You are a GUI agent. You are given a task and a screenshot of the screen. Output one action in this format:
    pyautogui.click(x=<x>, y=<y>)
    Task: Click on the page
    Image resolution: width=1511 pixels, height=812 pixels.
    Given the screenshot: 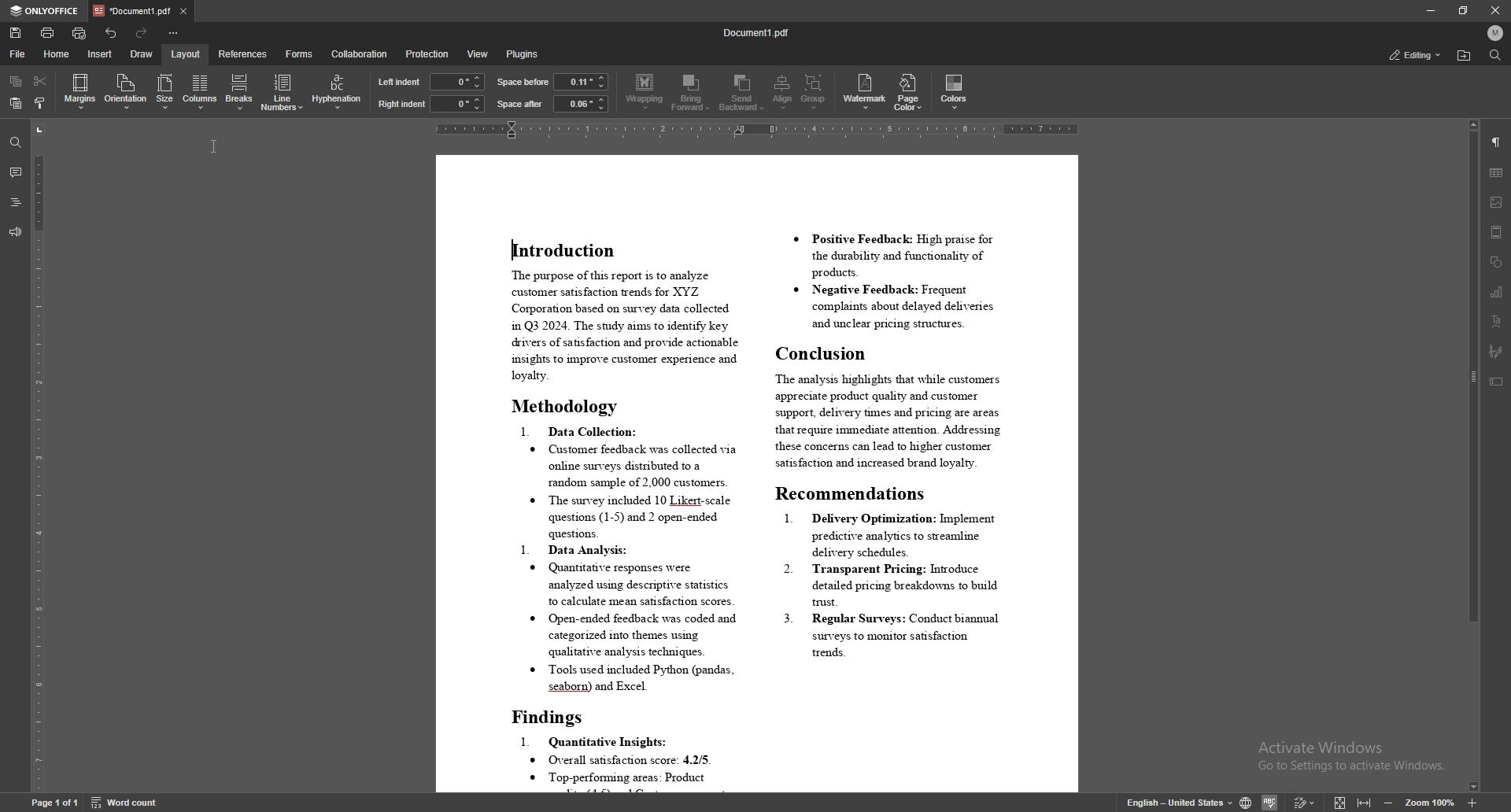 What is the action you would take?
    pyautogui.click(x=54, y=803)
    